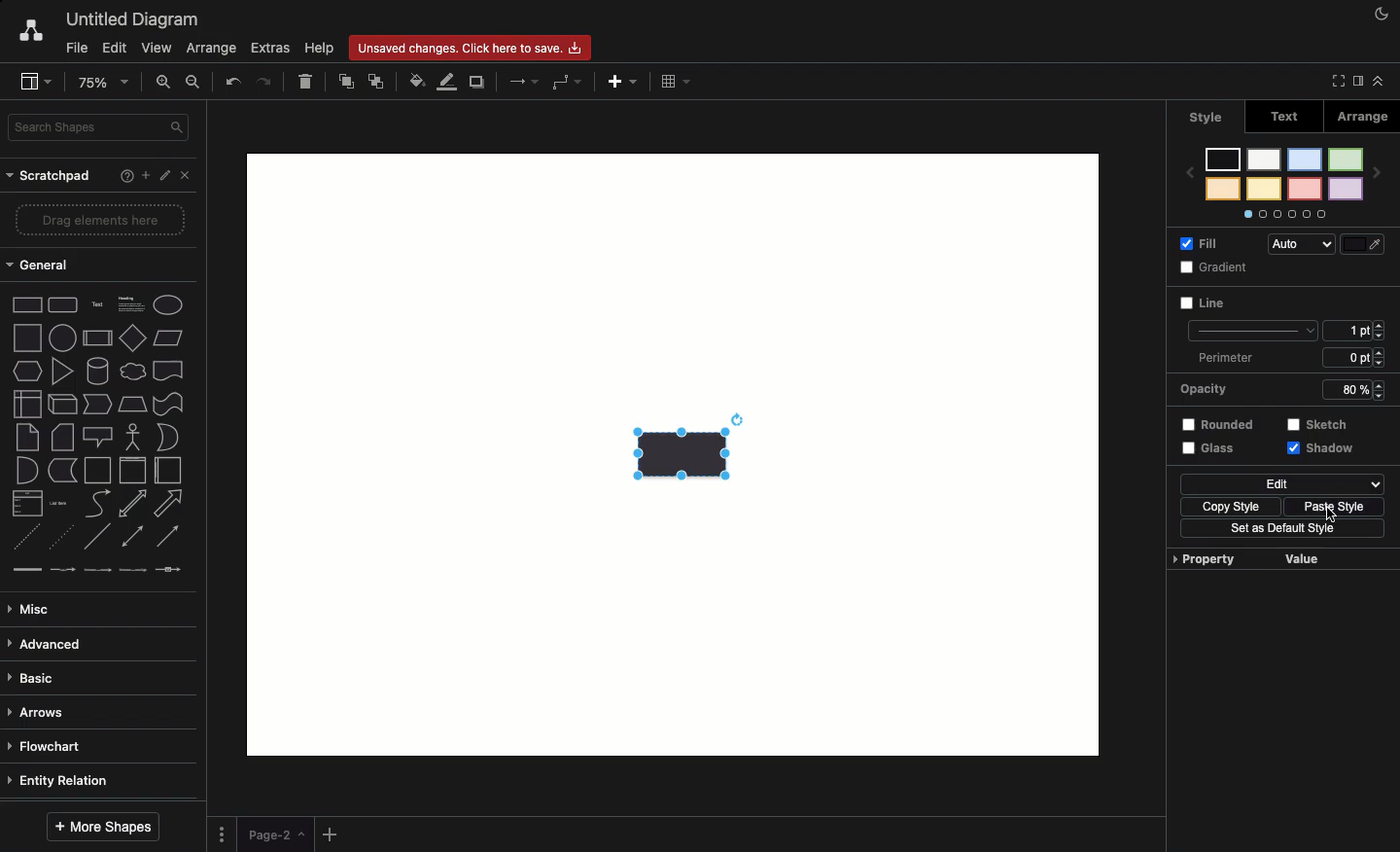  Describe the element at coordinates (129, 406) in the screenshot. I see `trapezoid` at that location.